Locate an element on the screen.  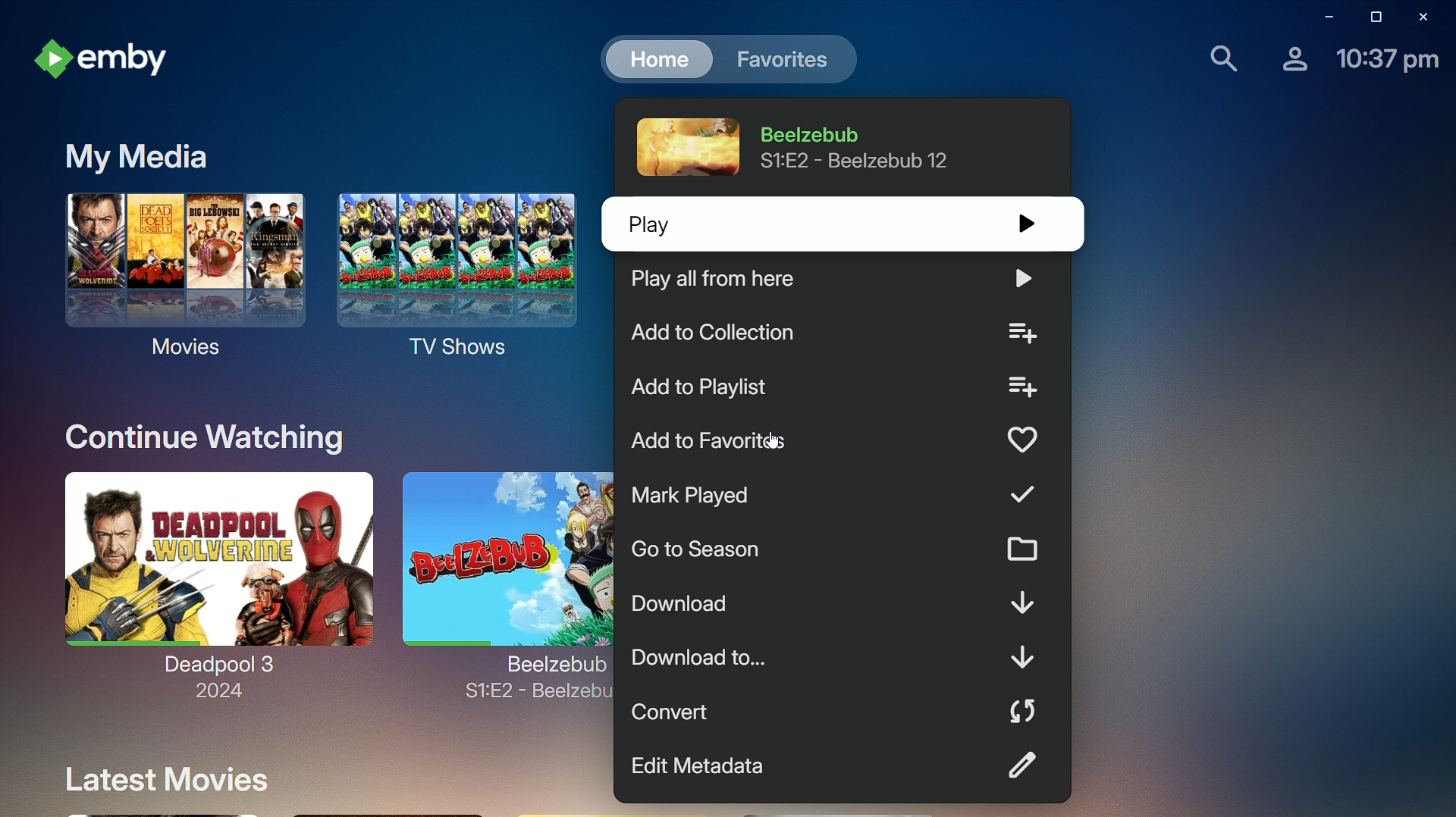
Convert is located at coordinates (830, 710).